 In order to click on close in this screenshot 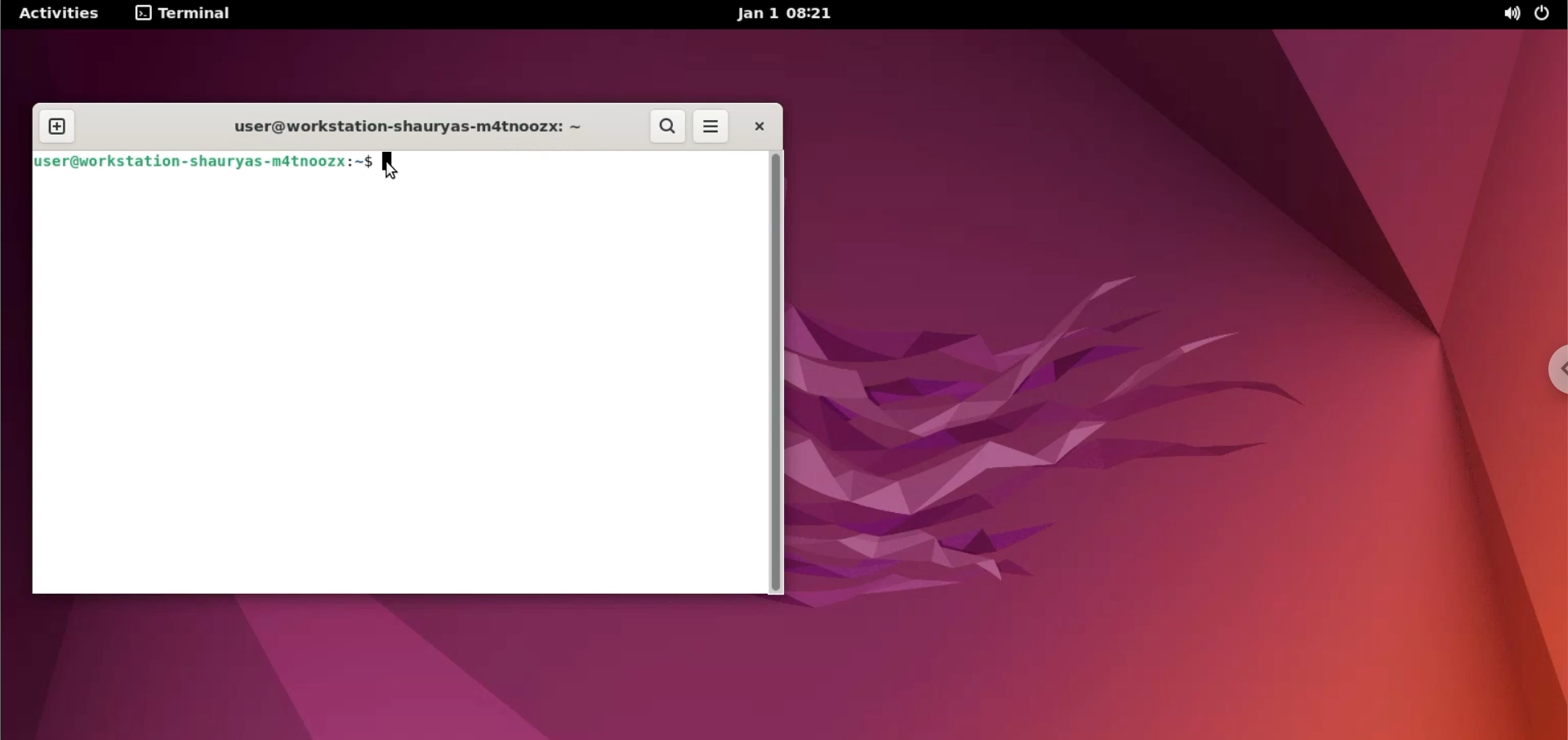, I will do `click(752, 126)`.